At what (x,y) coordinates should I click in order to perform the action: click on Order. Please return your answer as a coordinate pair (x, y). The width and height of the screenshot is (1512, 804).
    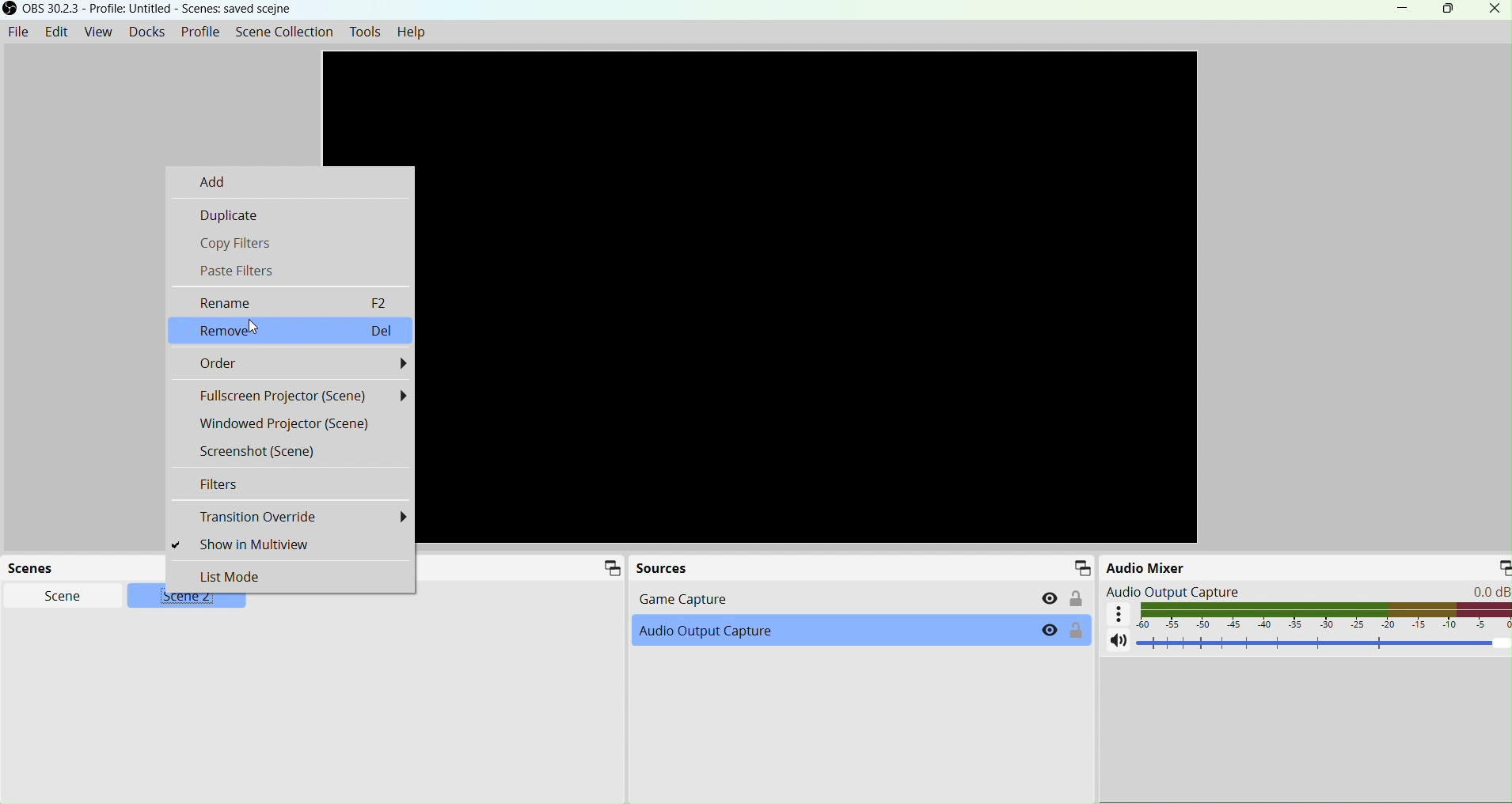
    Looking at the image, I should click on (291, 365).